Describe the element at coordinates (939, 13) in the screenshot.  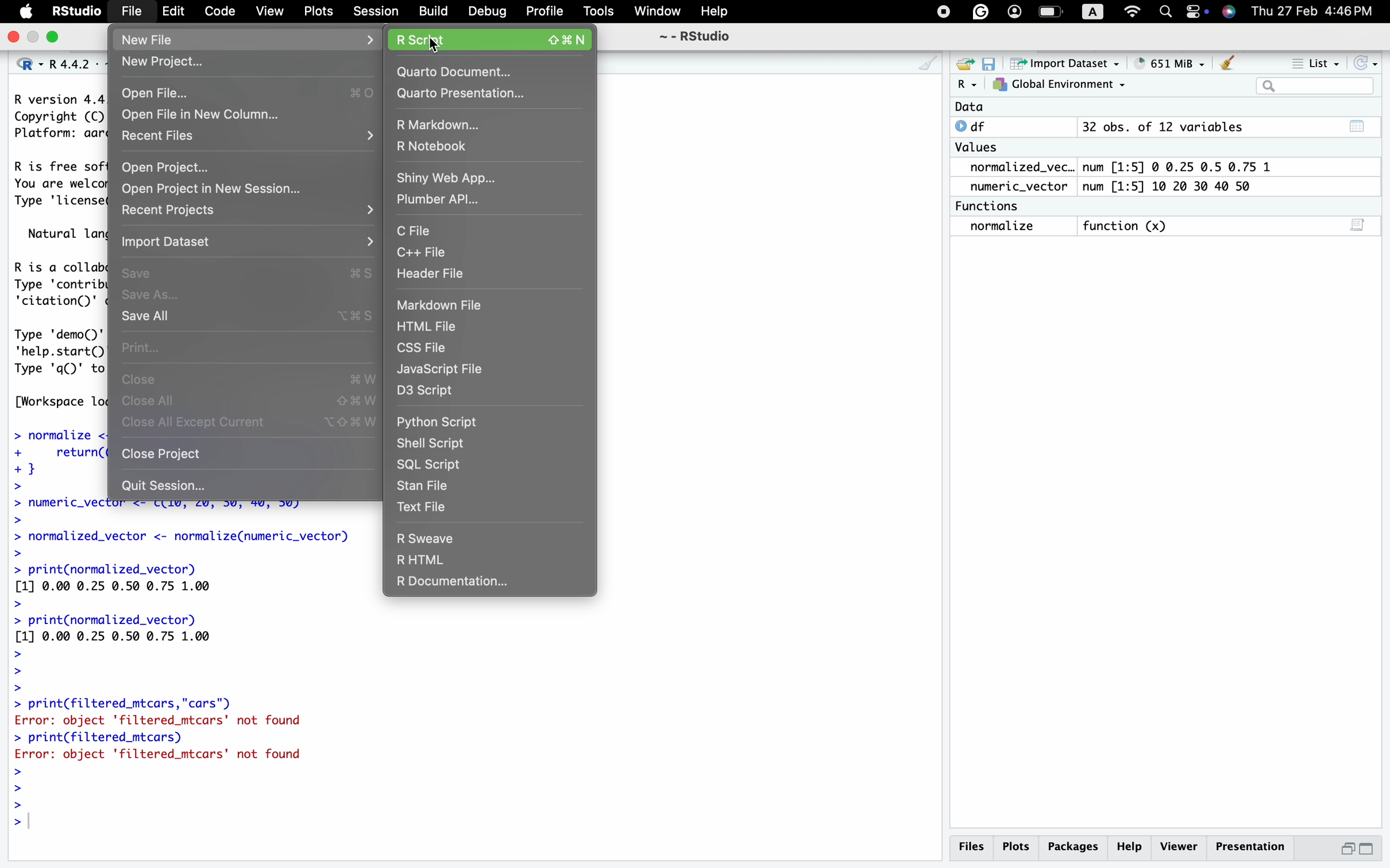
I see `pause` at that location.